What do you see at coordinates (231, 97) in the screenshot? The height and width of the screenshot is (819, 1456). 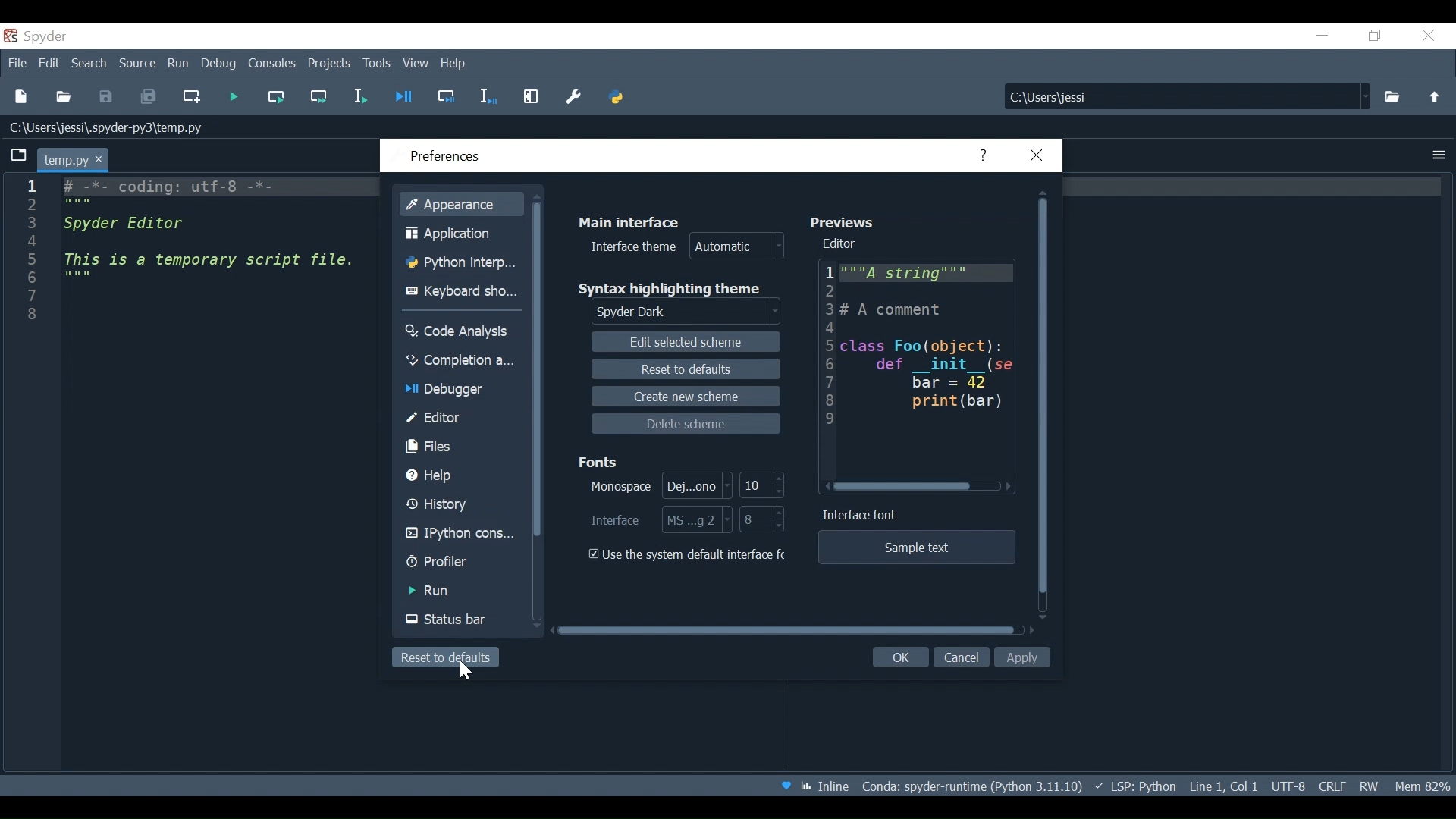 I see `Run file` at bounding box center [231, 97].